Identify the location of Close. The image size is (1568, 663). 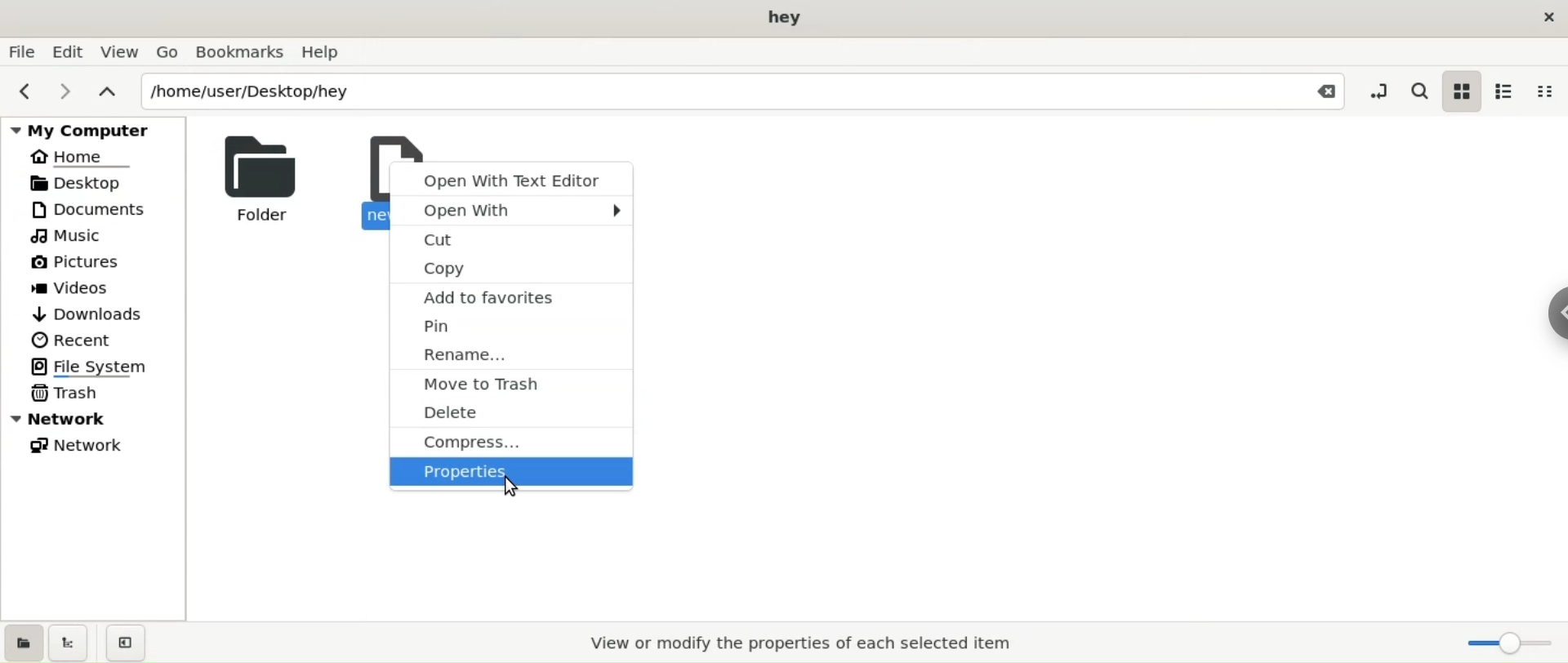
(1312, 94).